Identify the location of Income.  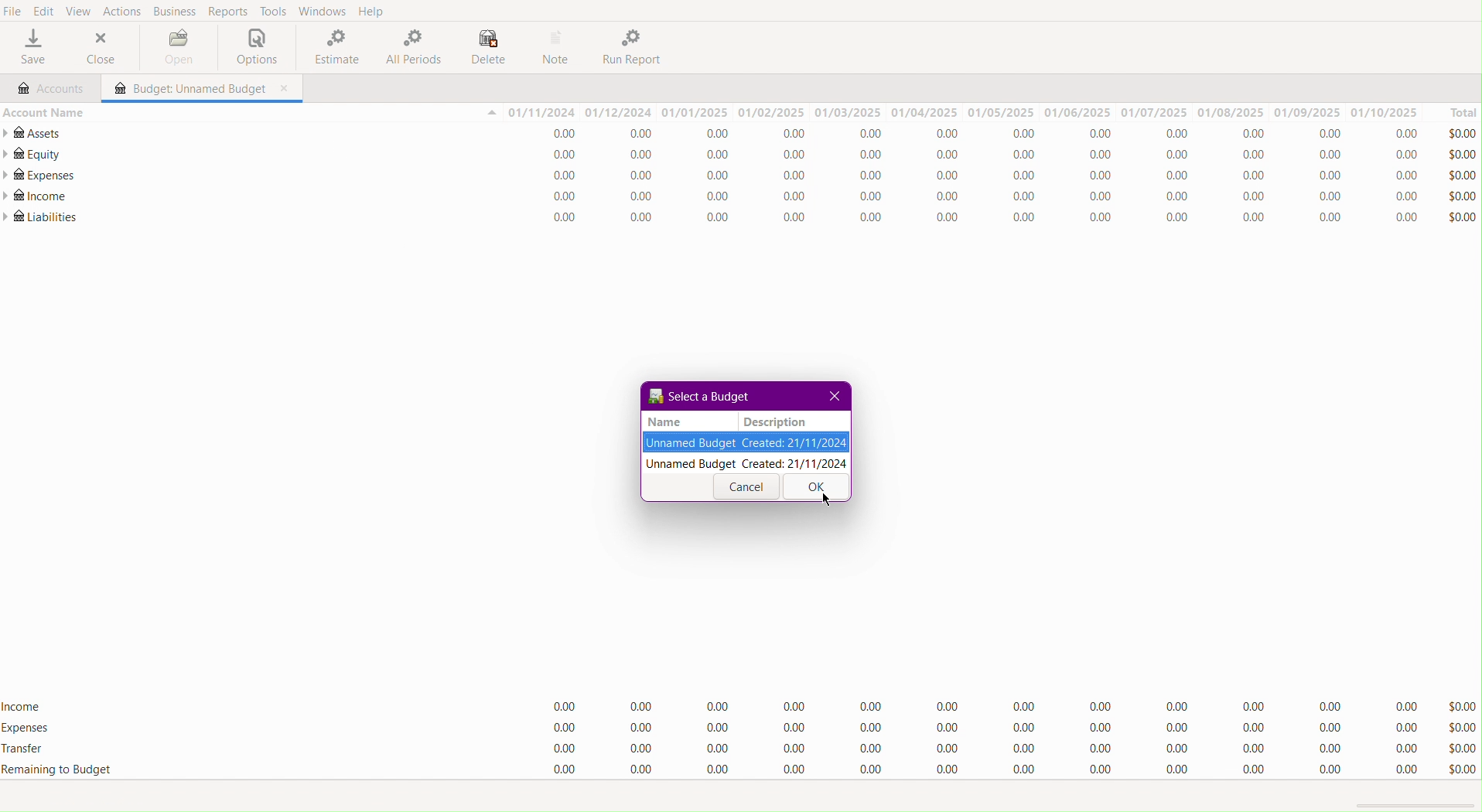
(37, 197).